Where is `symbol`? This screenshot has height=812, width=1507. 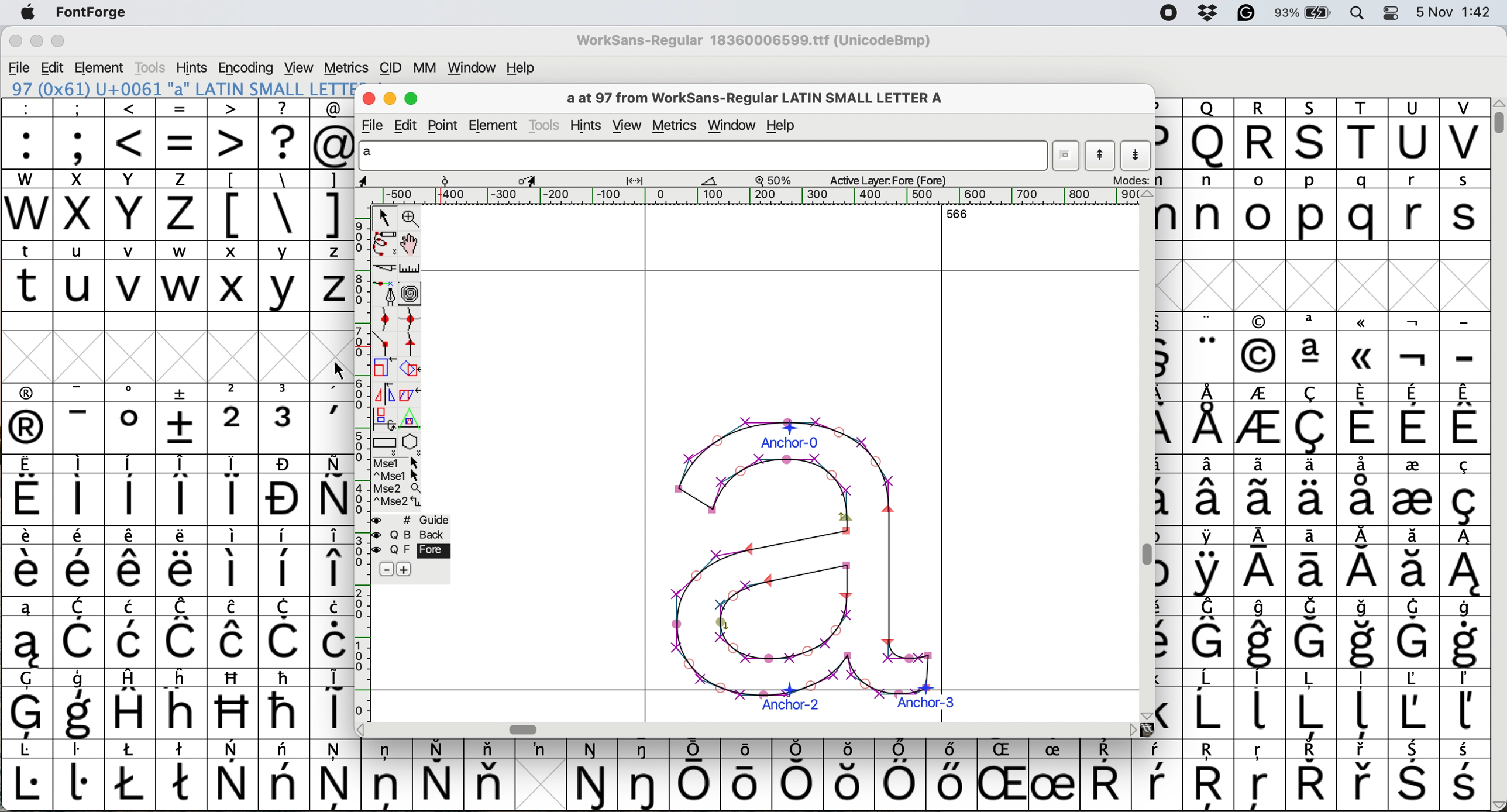 symbol is located at coordinates (1312, 347).